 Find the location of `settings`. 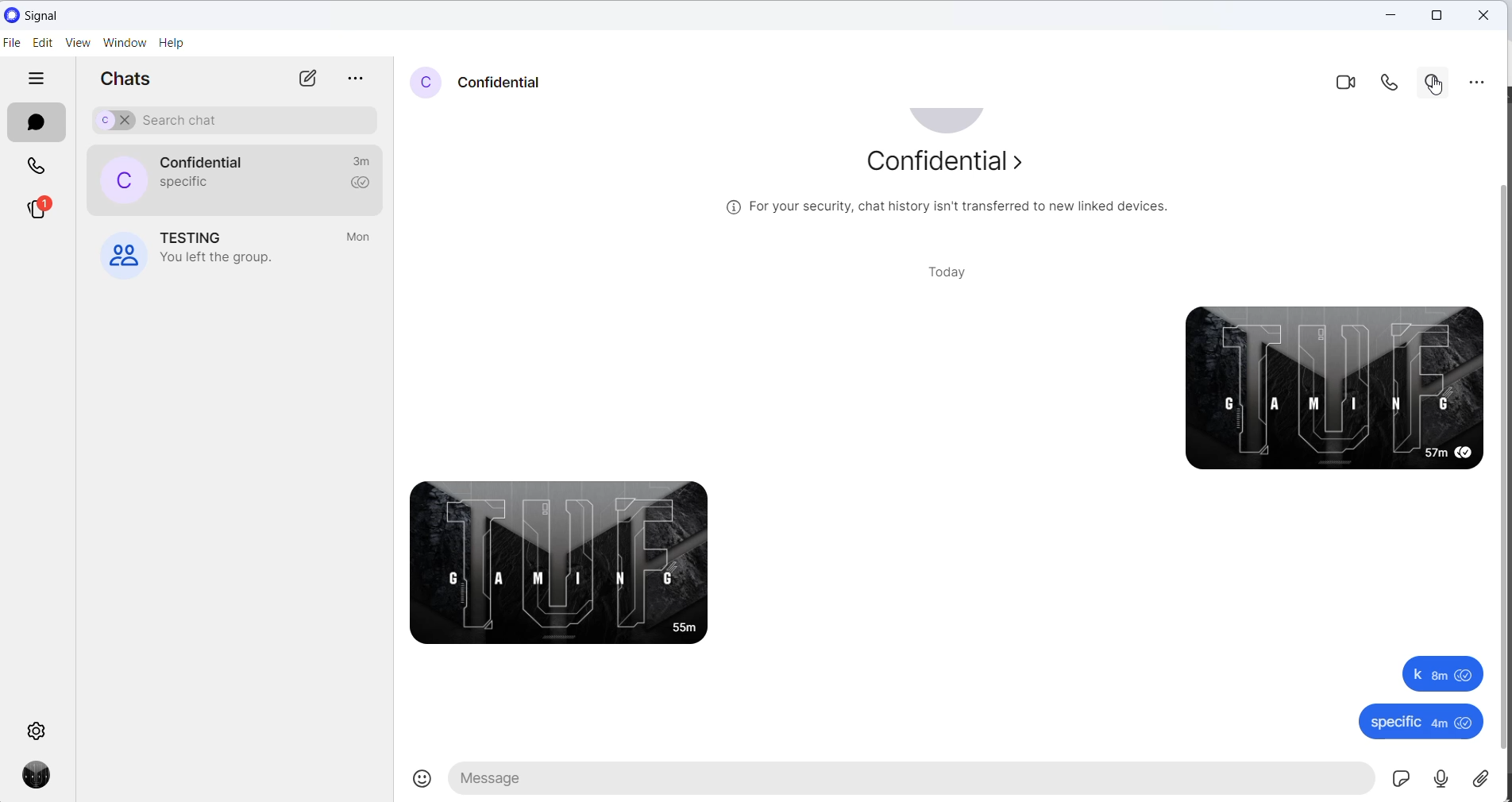

settings is located at coordinates (37, 728).